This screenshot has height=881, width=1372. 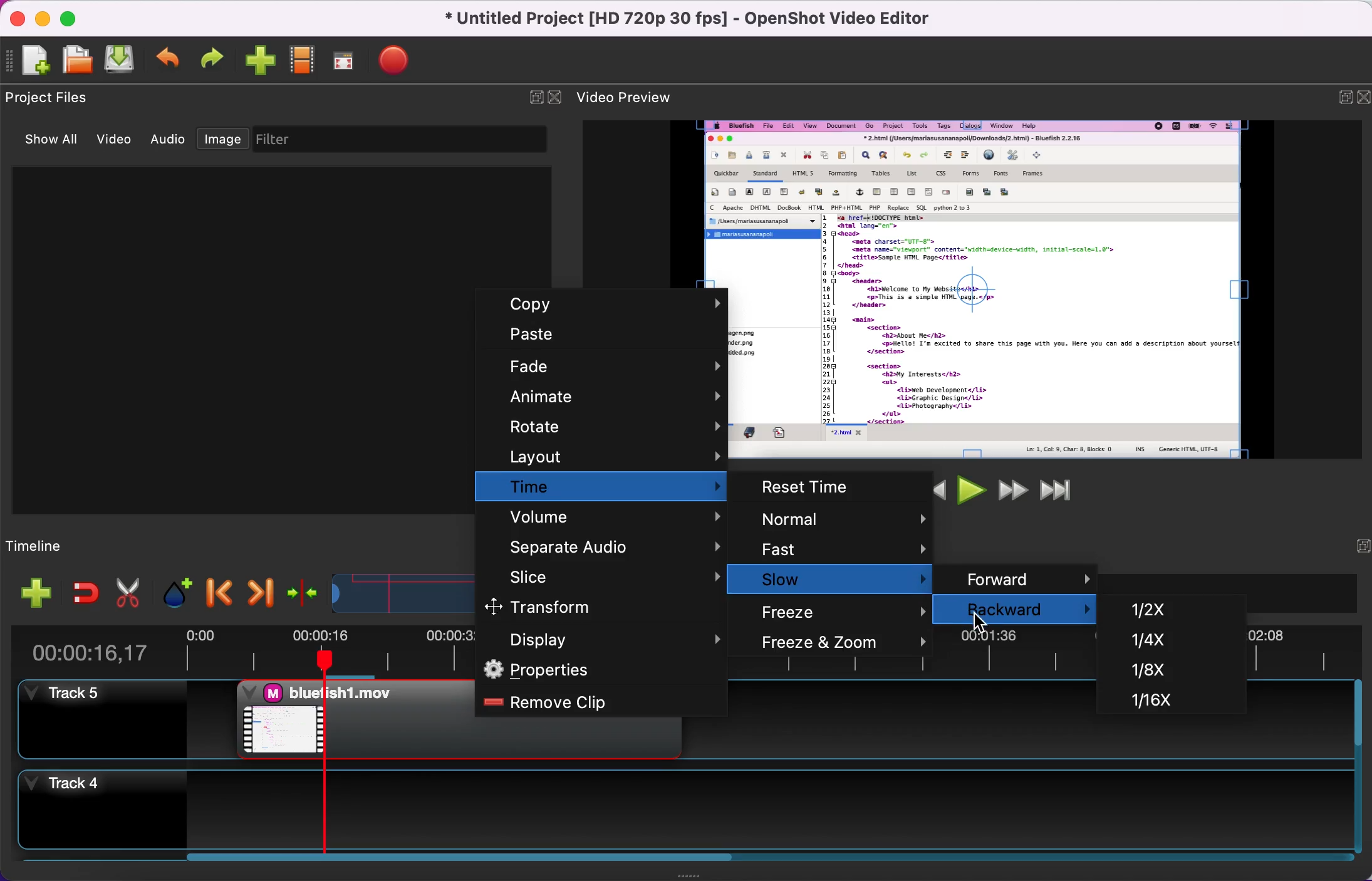 What do you see at coordinates (530, 97) in the screenshot?
I see `expand/hide` at bounding box center [530, 97].